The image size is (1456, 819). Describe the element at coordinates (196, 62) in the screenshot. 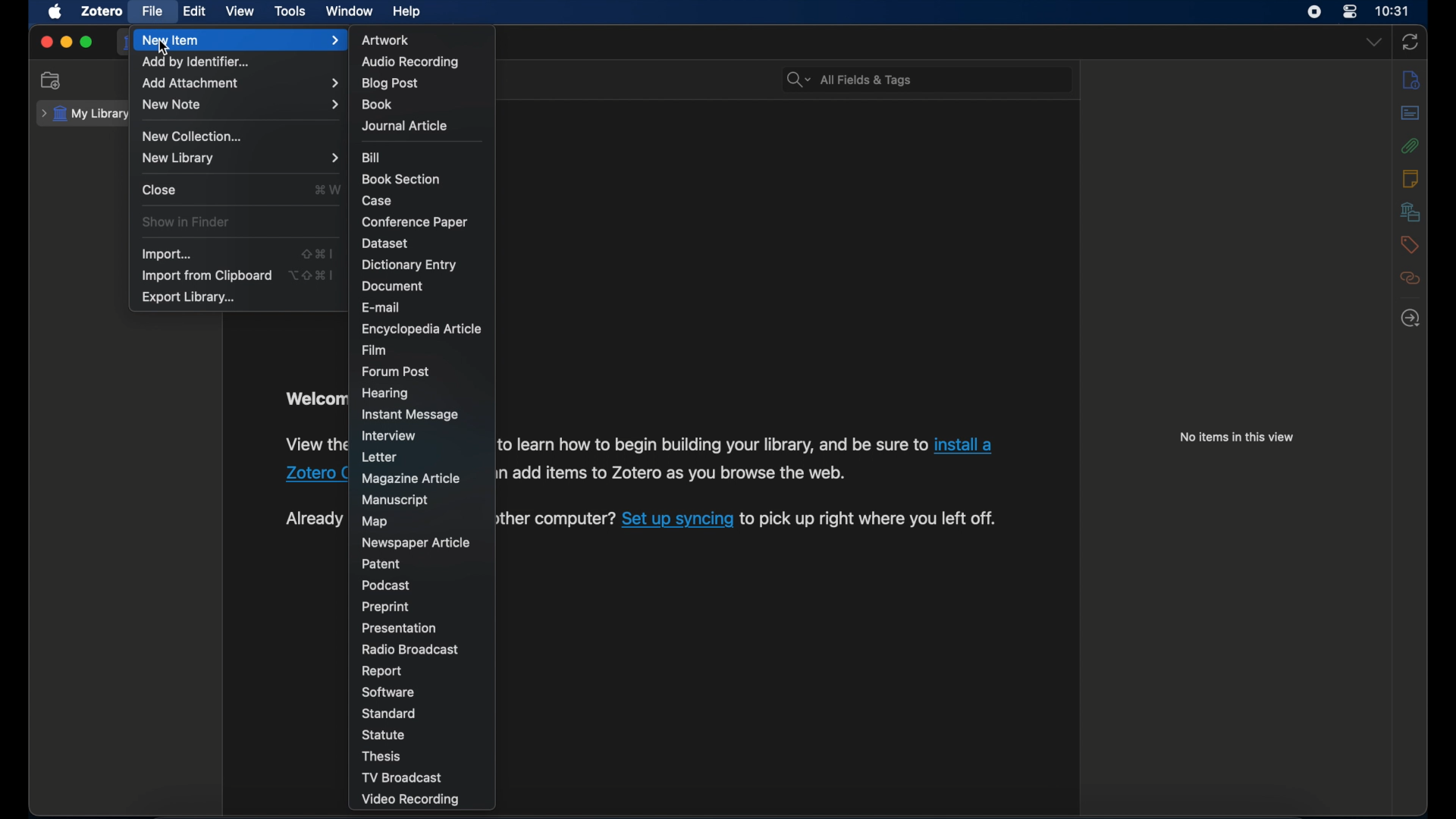

I see `add by identifier` at that location.